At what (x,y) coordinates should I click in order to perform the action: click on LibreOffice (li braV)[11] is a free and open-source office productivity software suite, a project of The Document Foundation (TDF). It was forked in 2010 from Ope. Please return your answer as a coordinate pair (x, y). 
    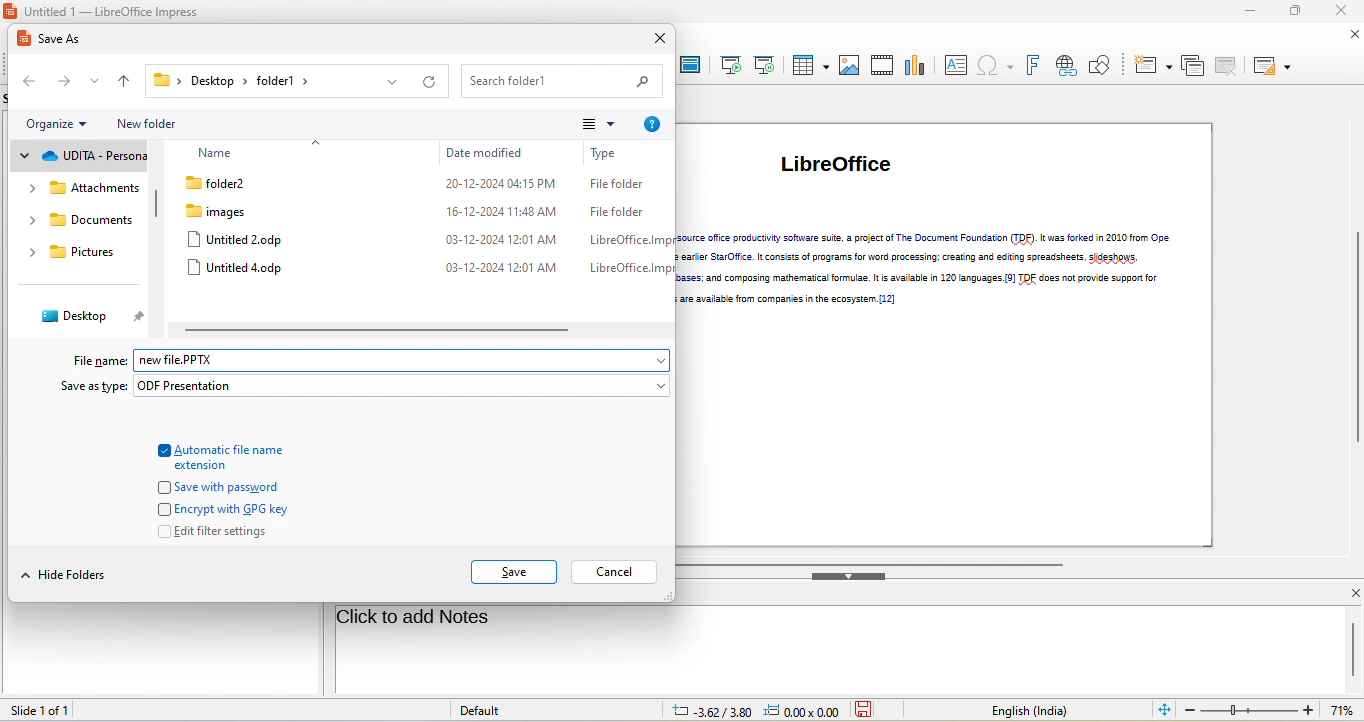
    Looking at the image, I should click on (932, 236).